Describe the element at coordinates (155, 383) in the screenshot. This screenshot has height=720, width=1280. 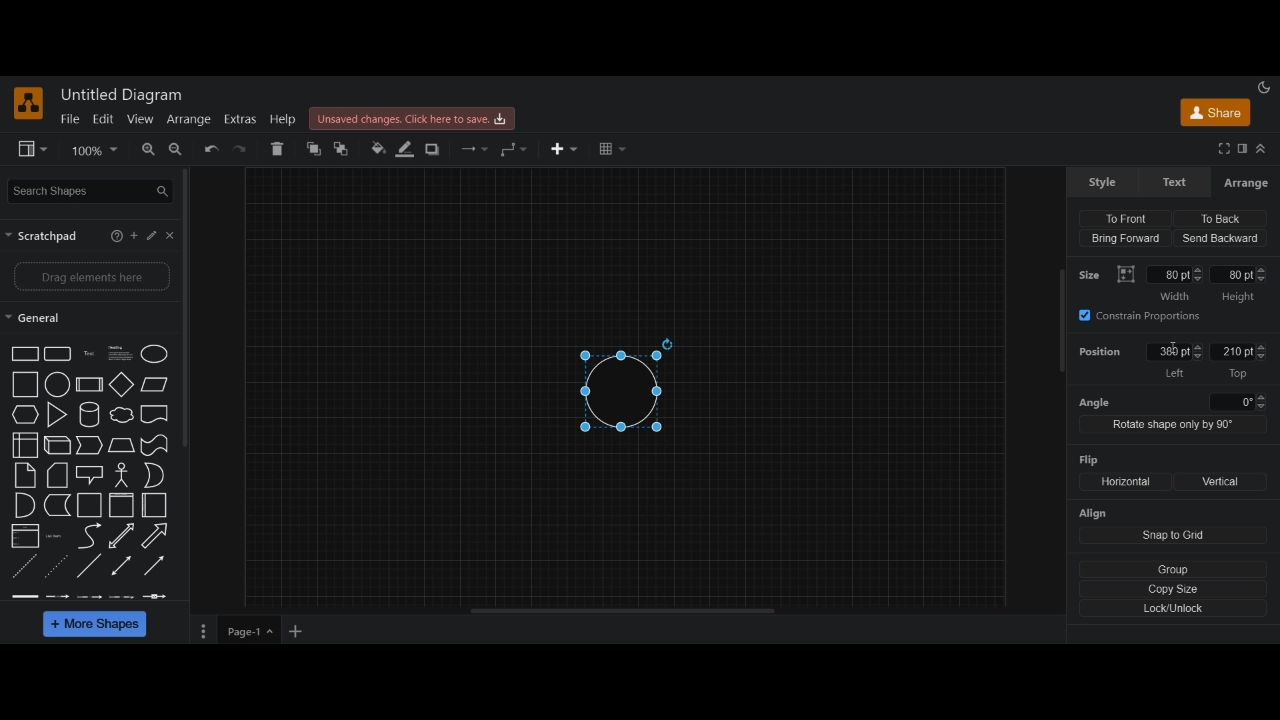
I see `trapezium` at that location.